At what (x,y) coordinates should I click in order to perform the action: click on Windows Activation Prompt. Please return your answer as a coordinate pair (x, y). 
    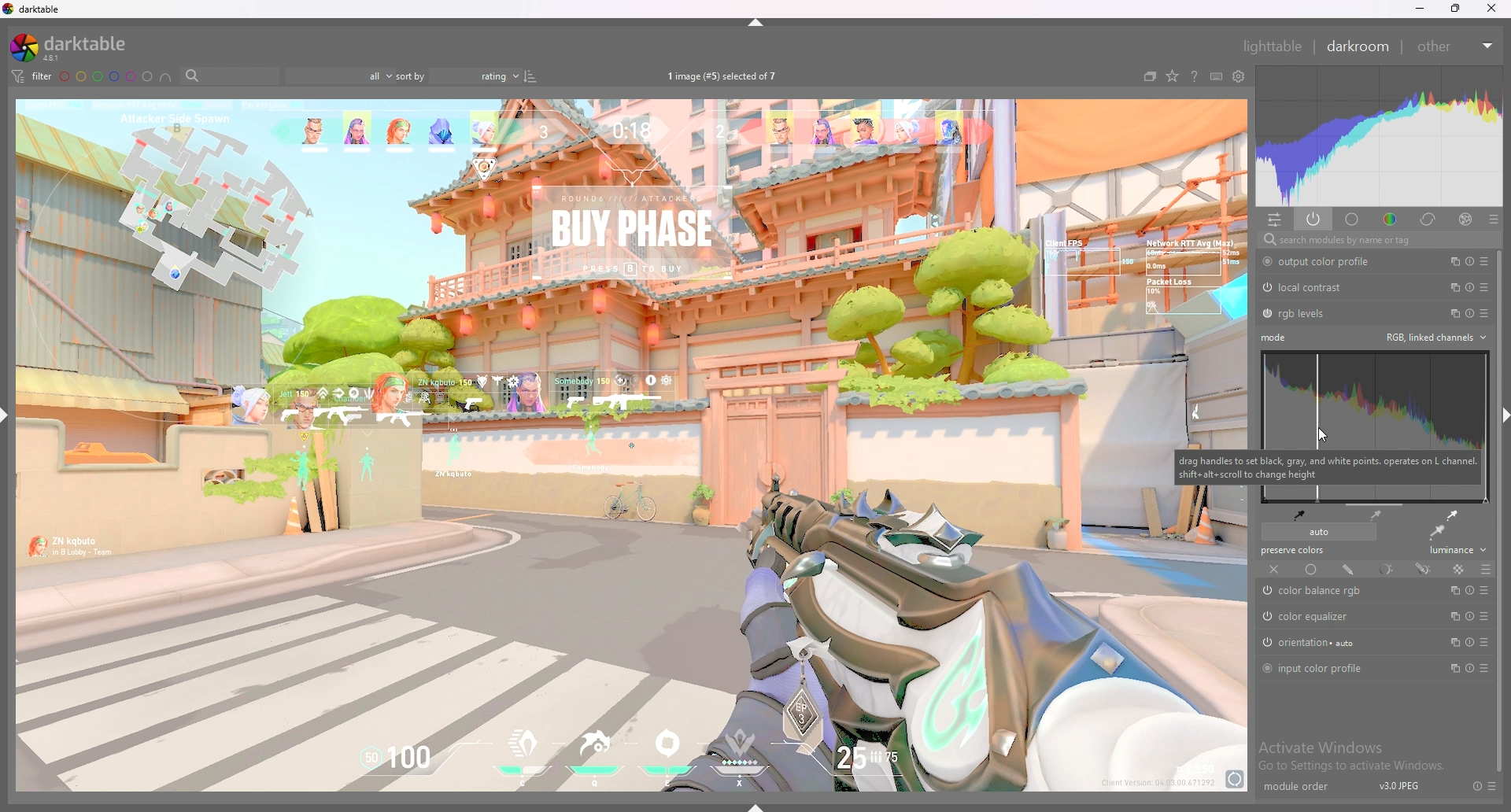
    Looking at the image, I should click on (1356, 755).